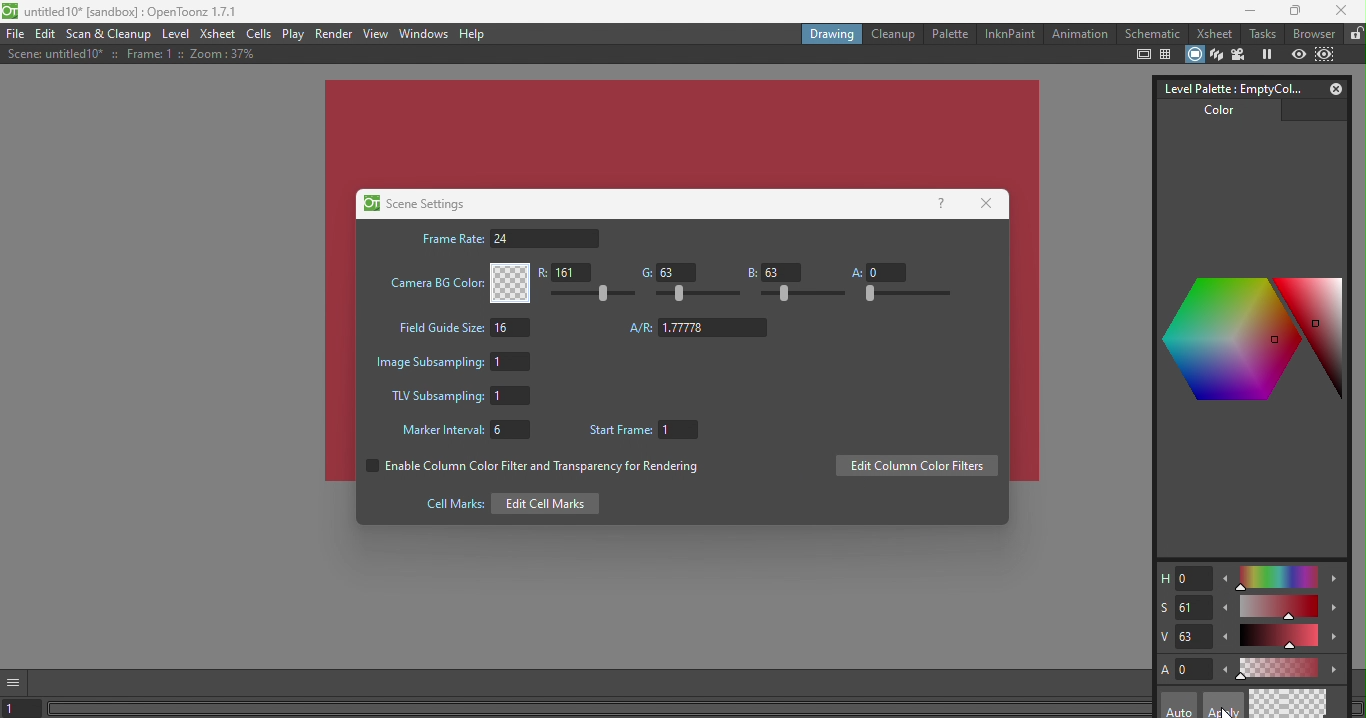  What do you see at coordinates (1309, 703) in the screenshot?
I see `Return to previous style` at bounding box center [1309, 703].